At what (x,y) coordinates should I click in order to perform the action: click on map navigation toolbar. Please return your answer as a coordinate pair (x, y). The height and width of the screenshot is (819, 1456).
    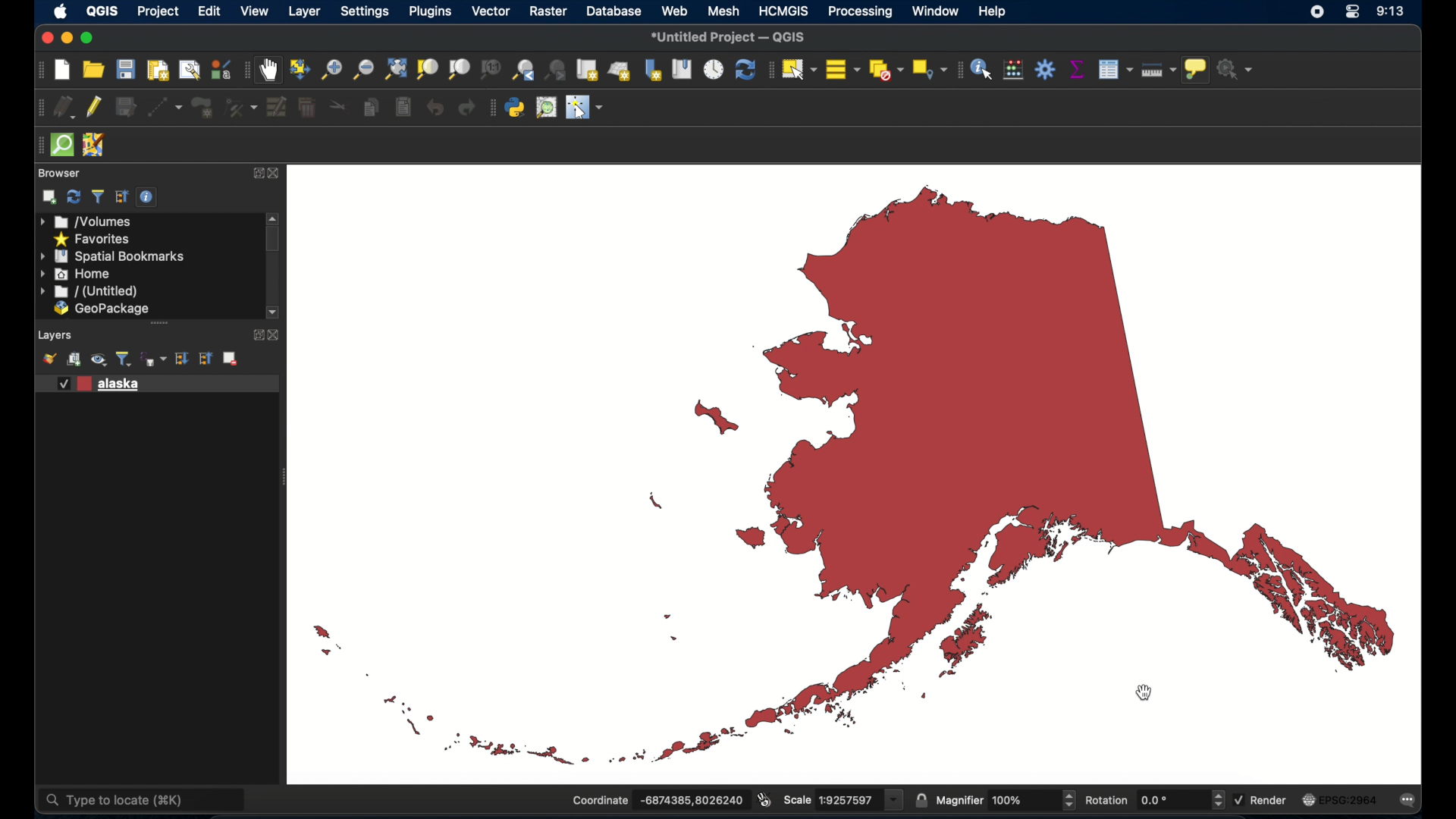
    Looking at the image, I should click on (245, 72).